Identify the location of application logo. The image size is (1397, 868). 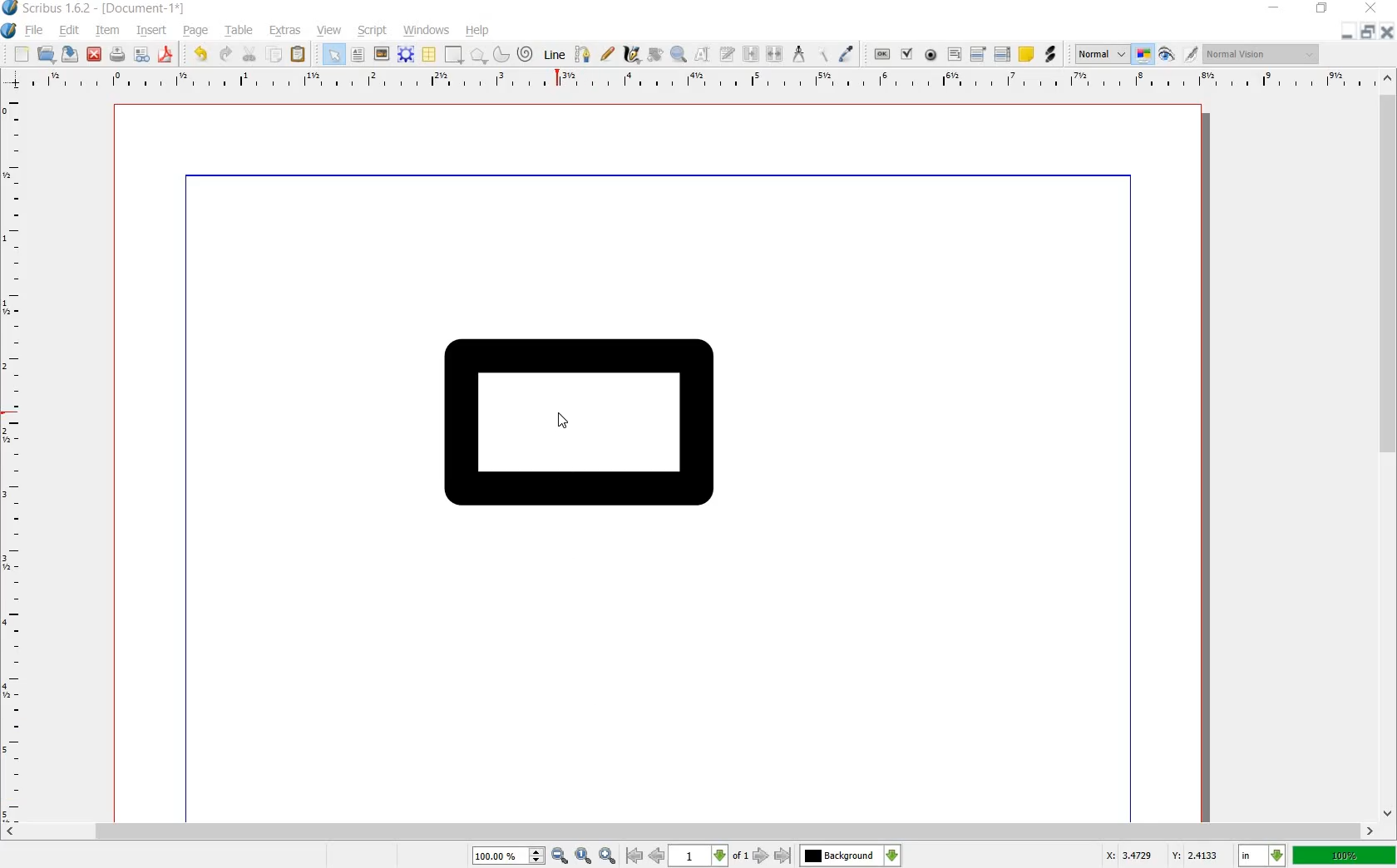
(8, 31).